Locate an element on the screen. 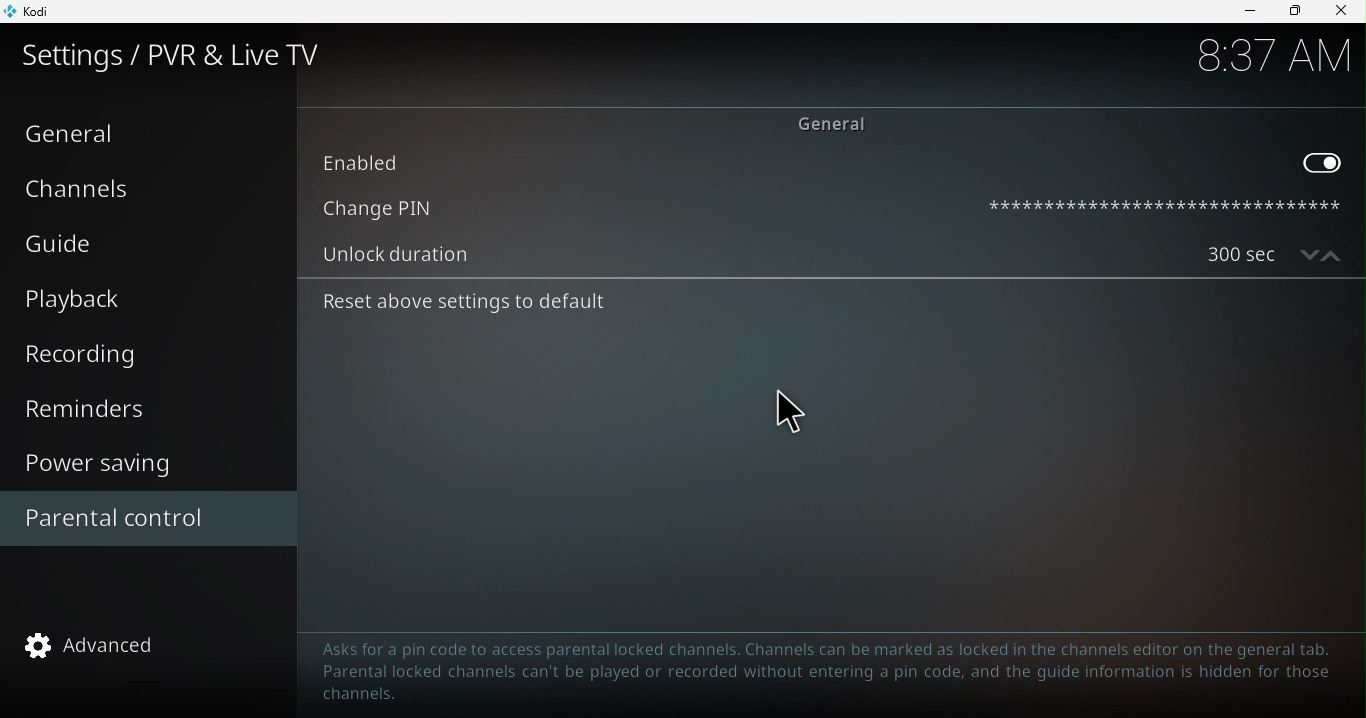 This screenshot has height=718, width=1366. Playback is located at coordinates (138, 301).